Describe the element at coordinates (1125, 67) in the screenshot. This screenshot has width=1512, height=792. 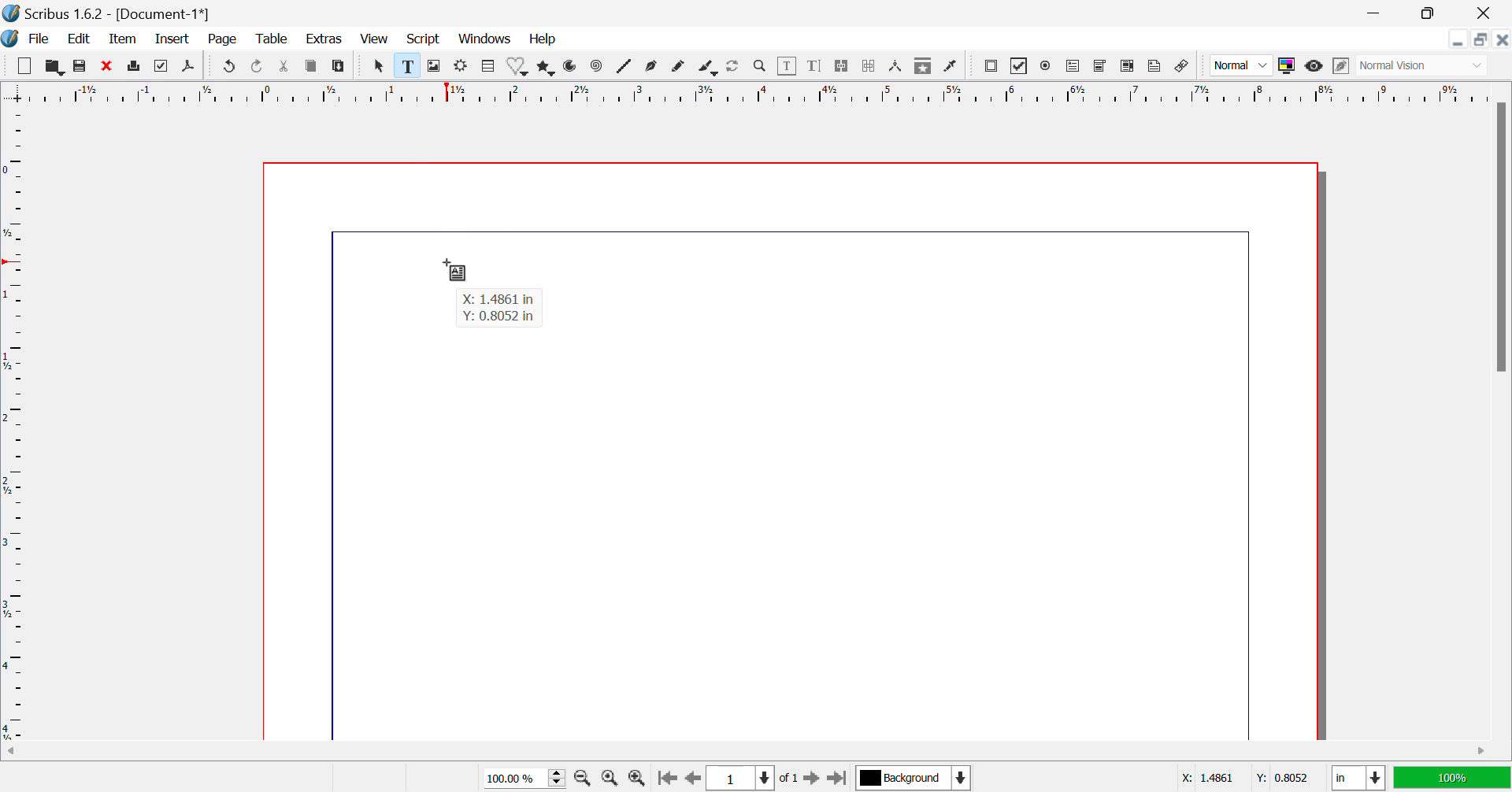
I see `Pdf List box` at that location.